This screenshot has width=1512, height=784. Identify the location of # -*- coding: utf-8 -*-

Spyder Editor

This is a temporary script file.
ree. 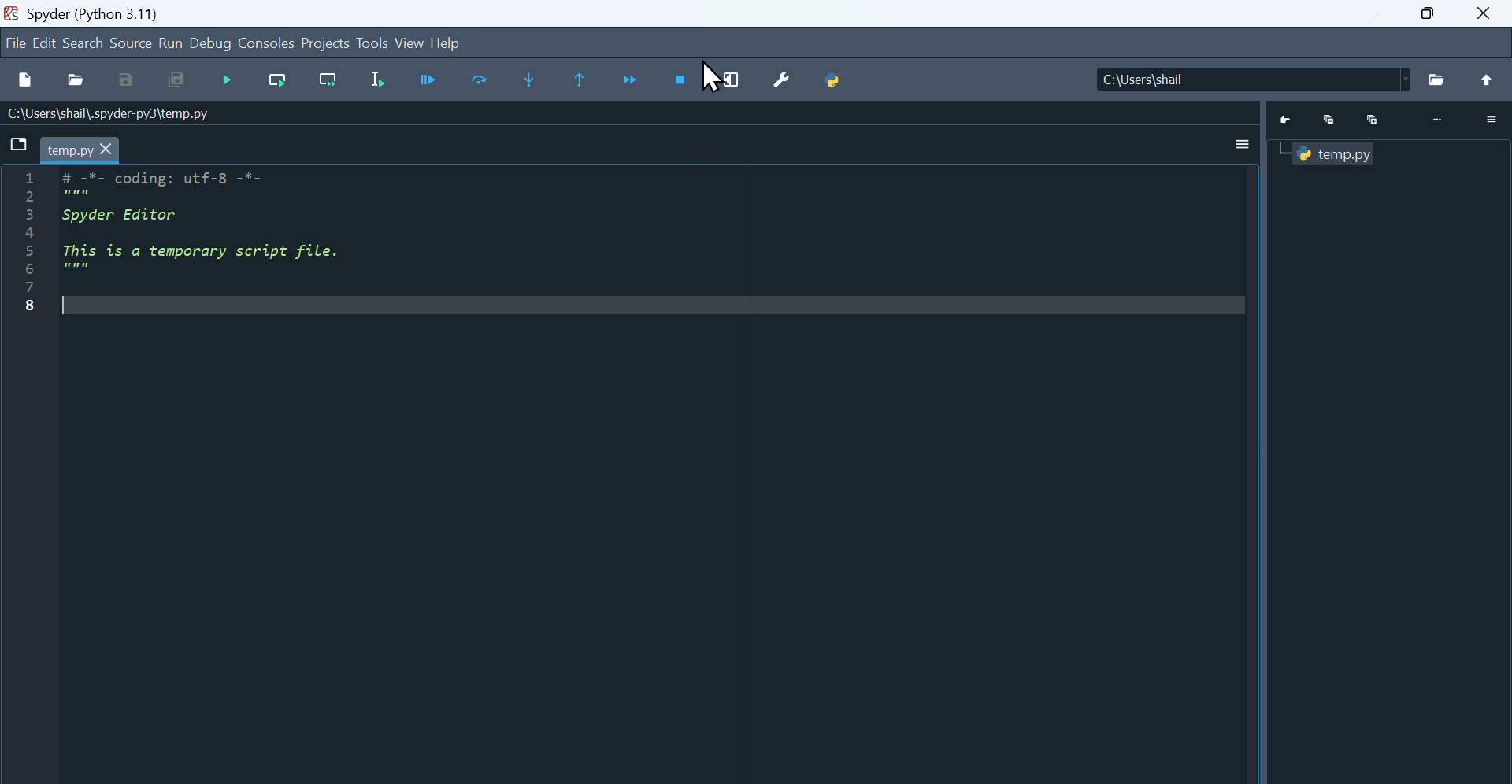
(224, 243).